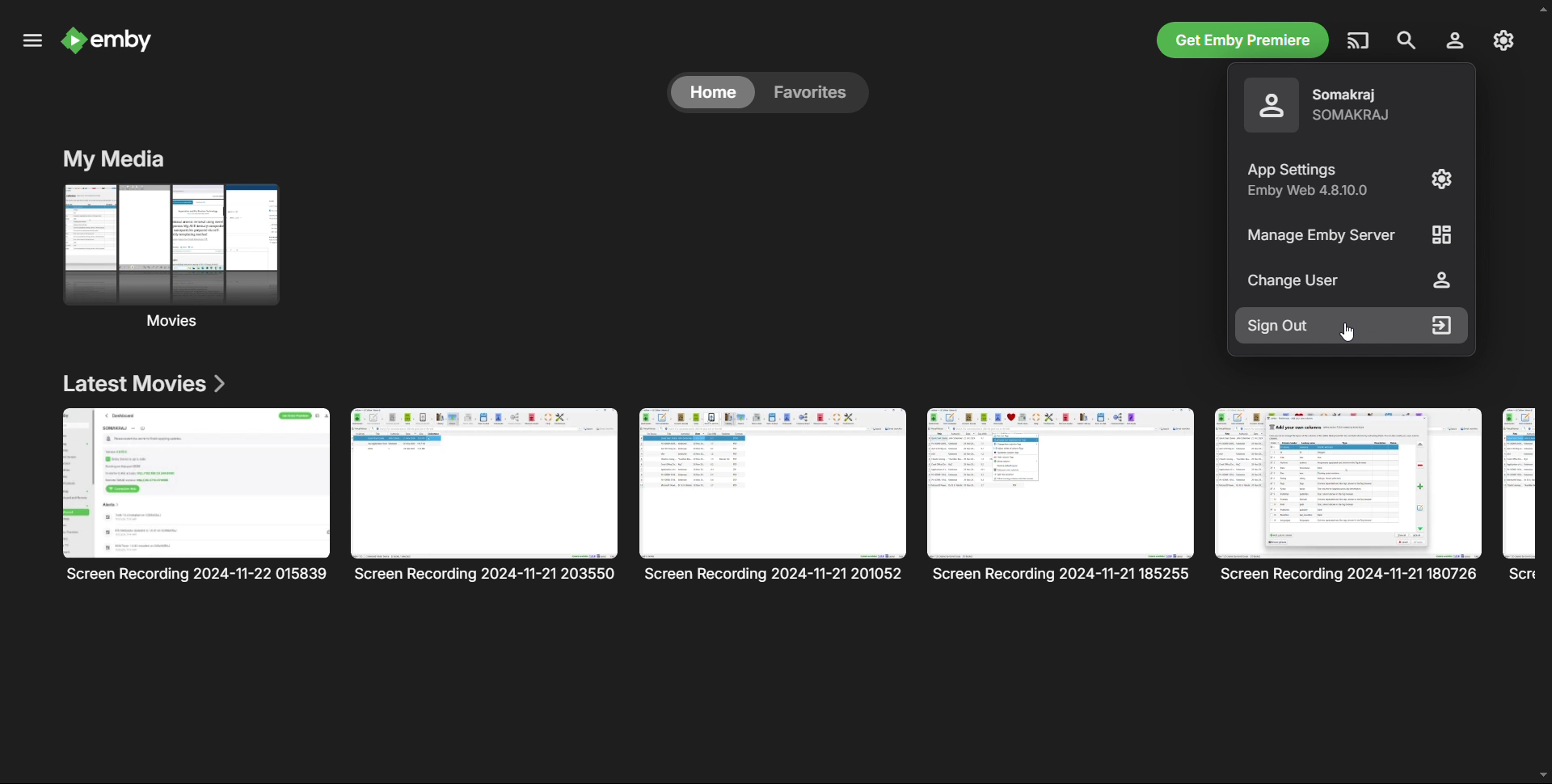  Describe the element at coordinates (713, 92) in the screenshot. I see `home` at that location.